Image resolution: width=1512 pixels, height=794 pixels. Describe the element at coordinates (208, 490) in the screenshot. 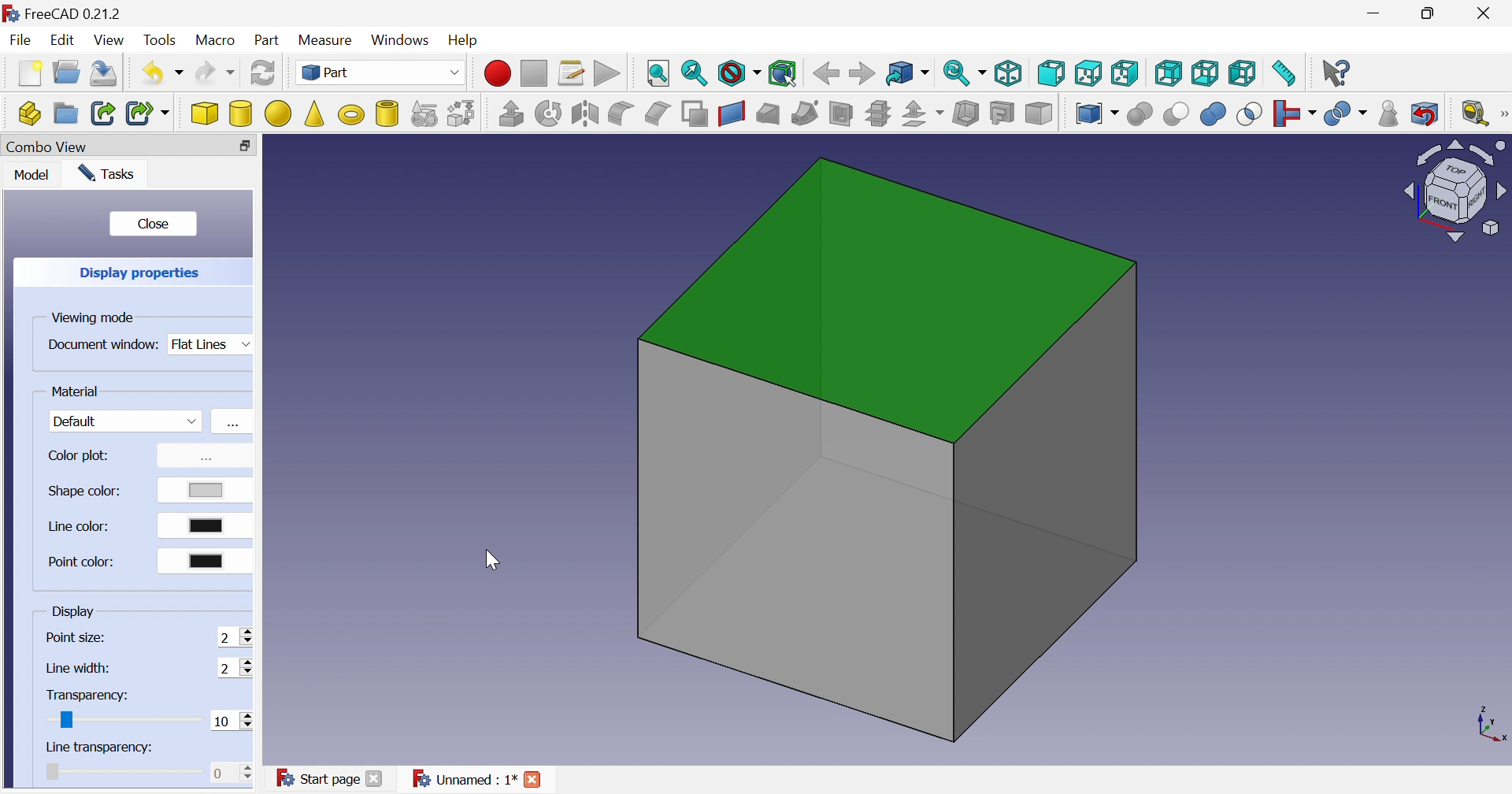

I see `Select color` at that location.